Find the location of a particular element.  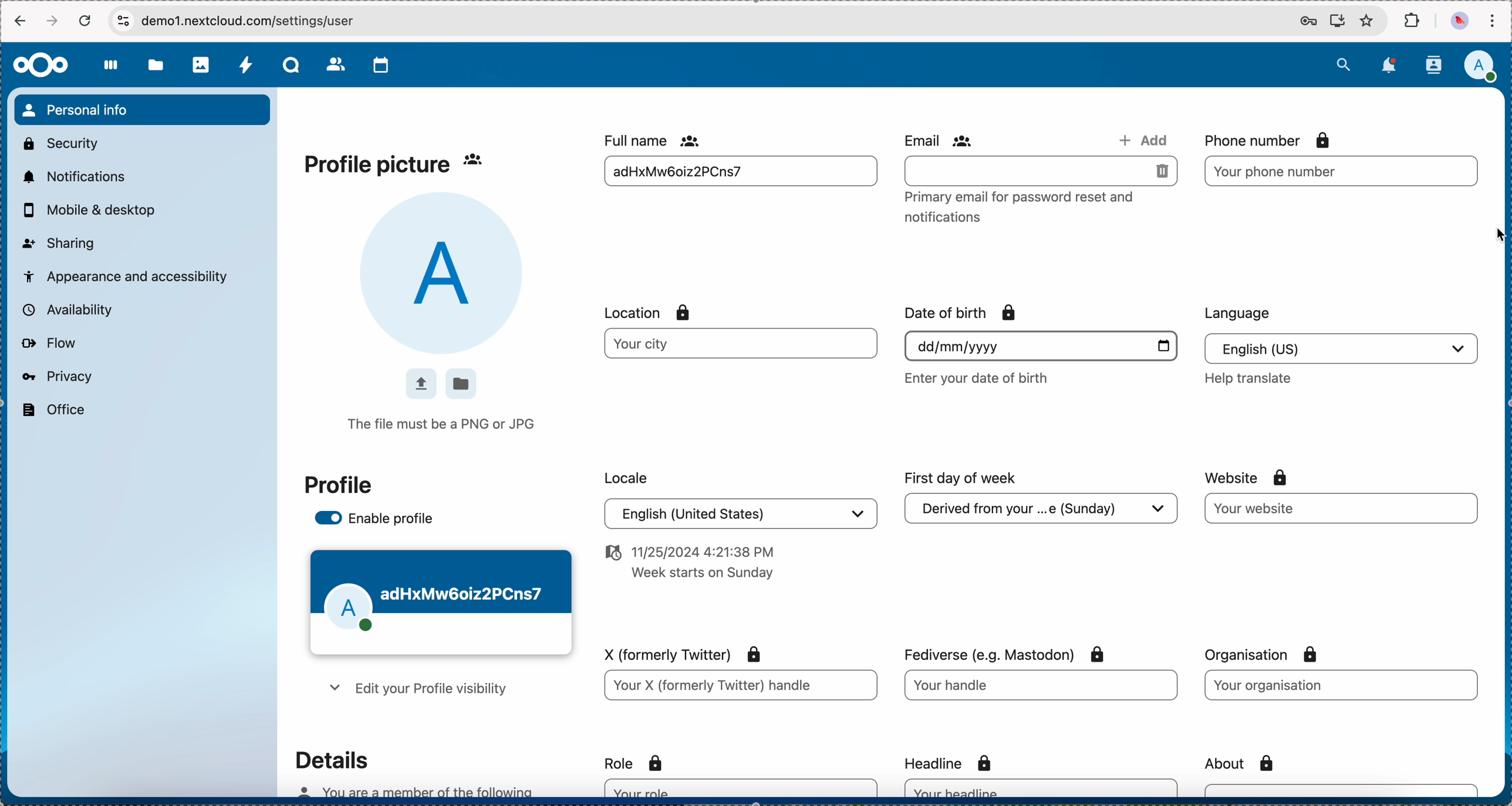

refresh the page is located at coordinates (86, 21).